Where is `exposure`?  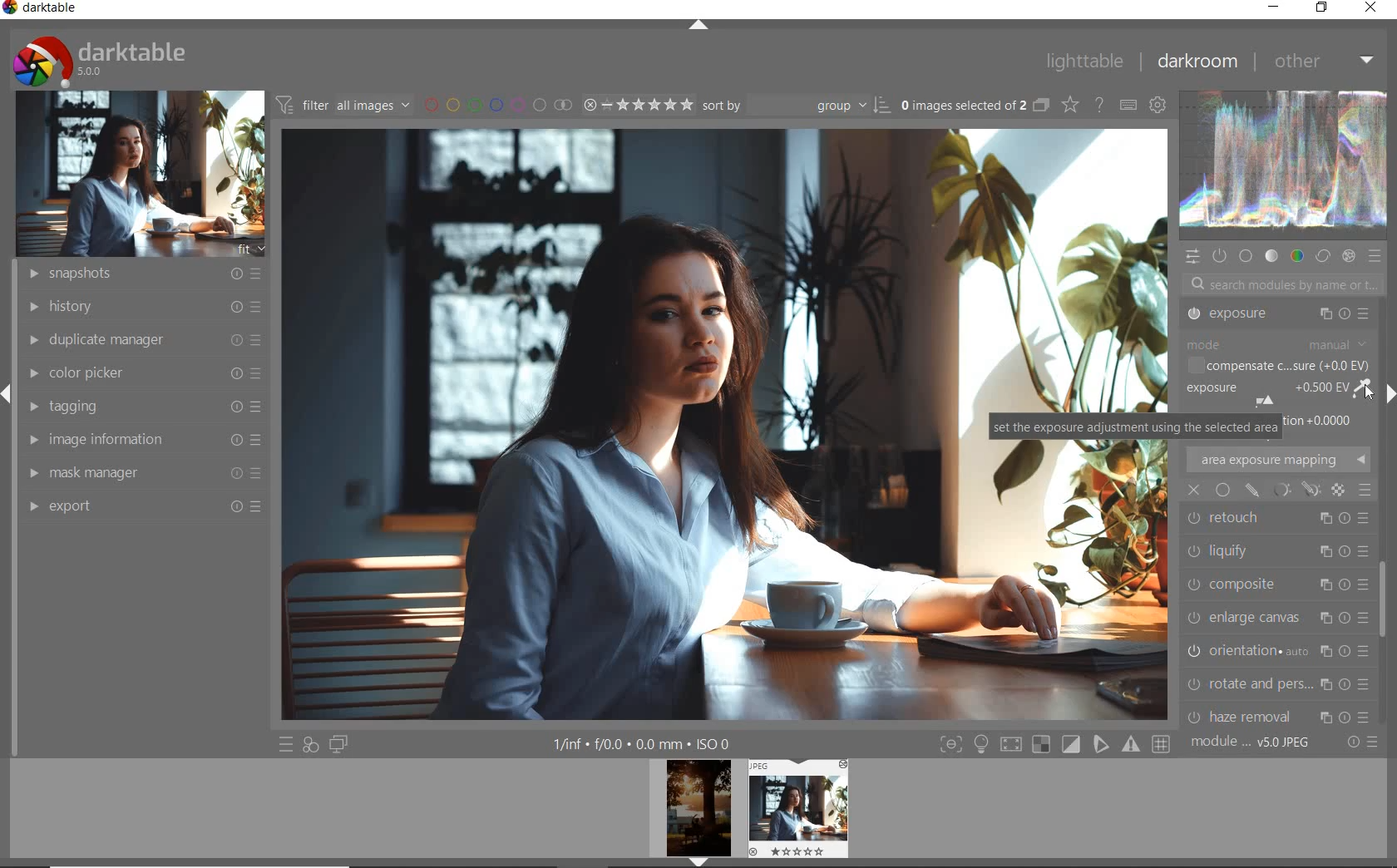
exposure is located at coordinates (1281, 316).